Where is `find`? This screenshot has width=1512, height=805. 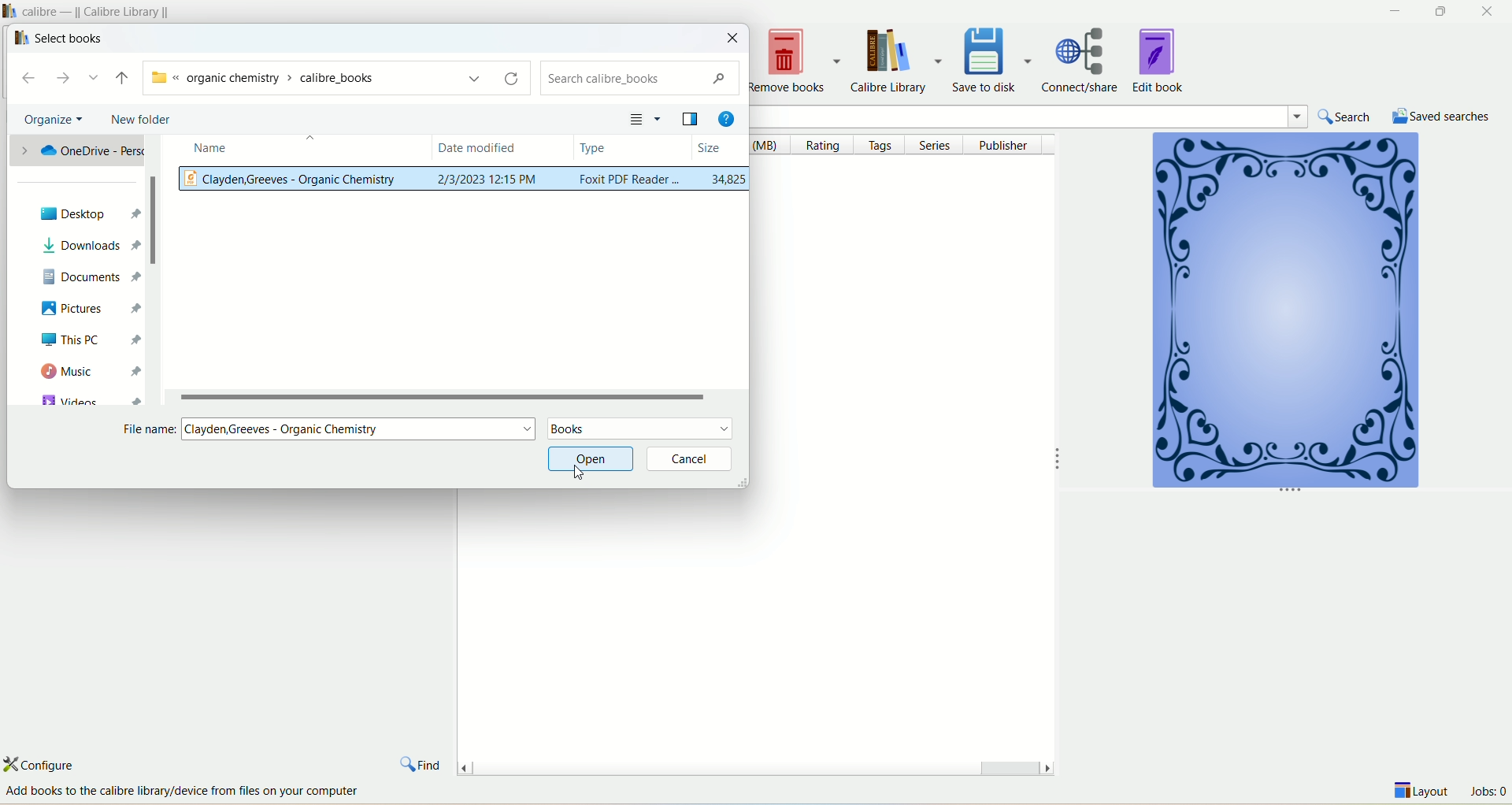 find is located at coordinates (421, 761).